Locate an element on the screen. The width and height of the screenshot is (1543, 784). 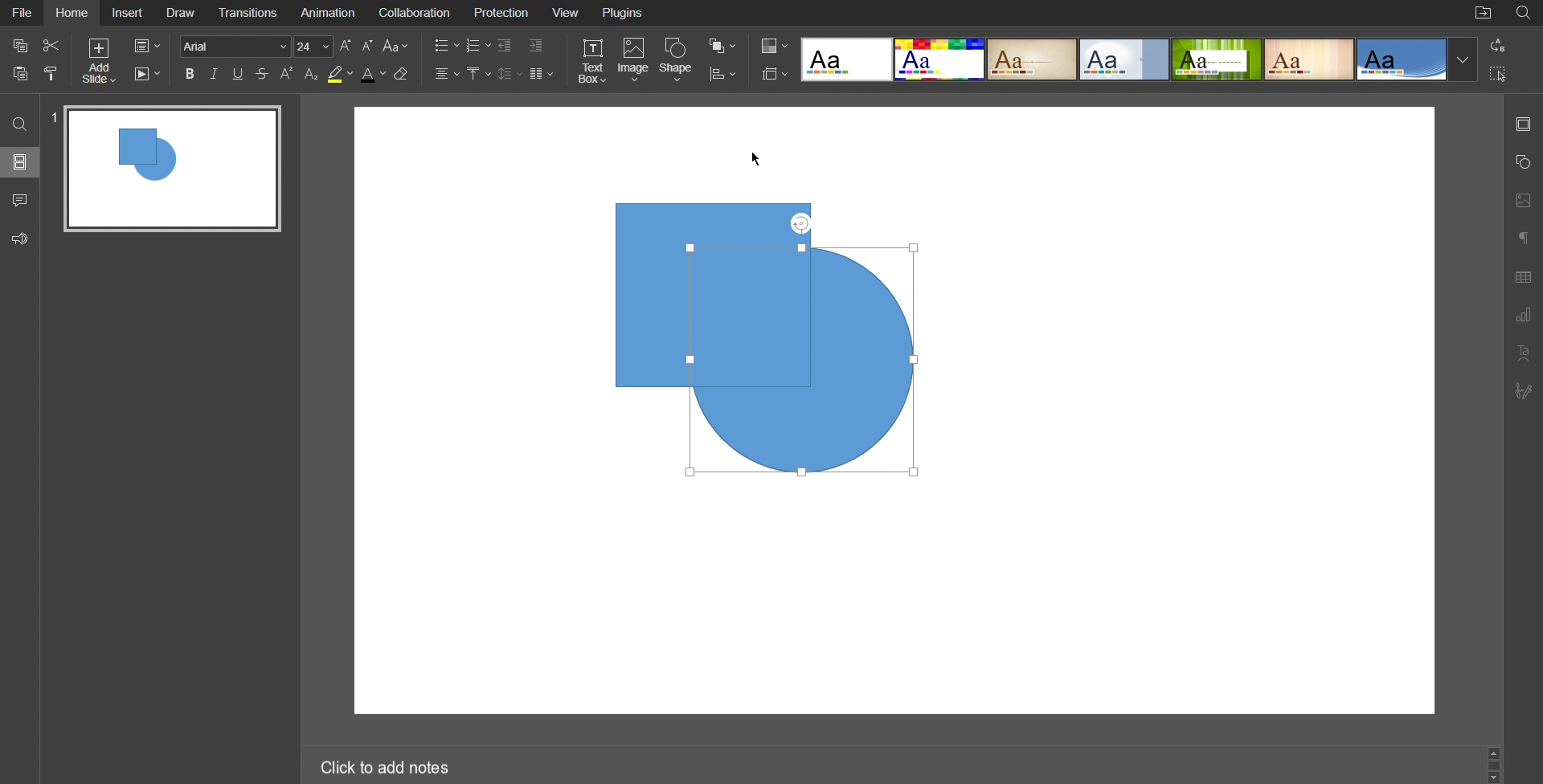
Insert is located at coordinates (125, 13).